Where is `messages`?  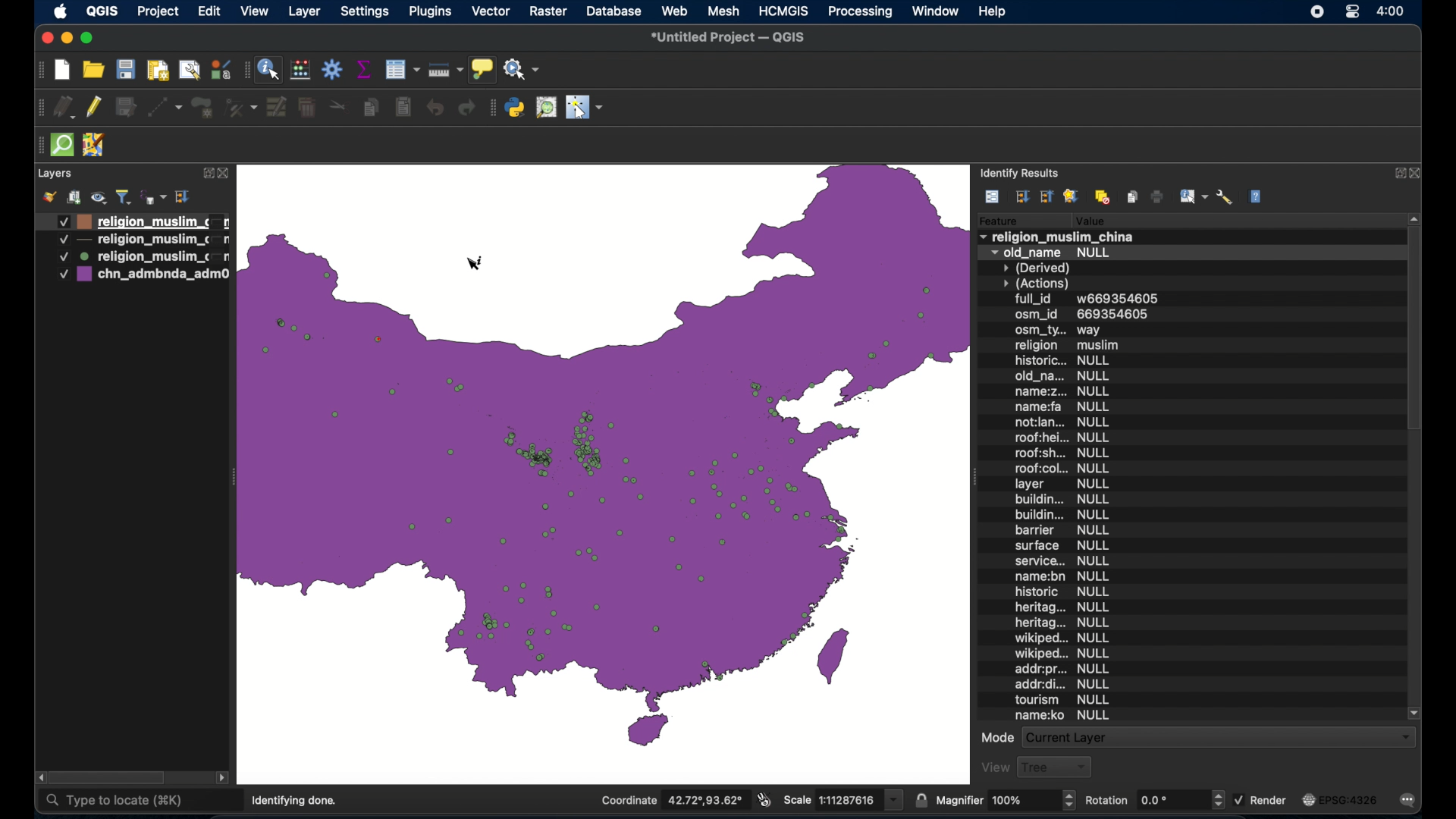 messages is located at coordinates (1410, 801).